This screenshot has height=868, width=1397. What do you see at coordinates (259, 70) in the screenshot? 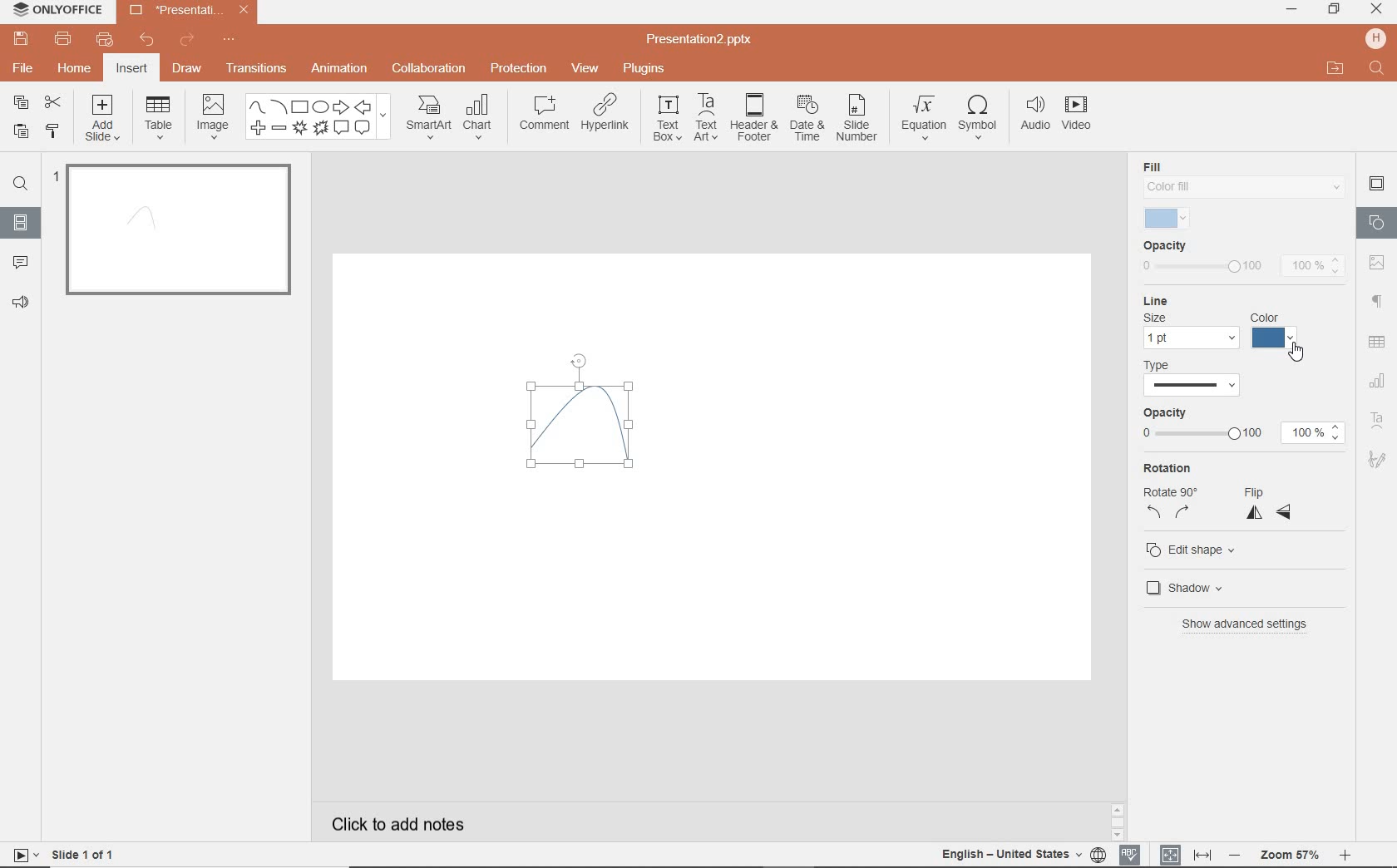
I see `TRANSITIONS` at bounding box center [259, 70].